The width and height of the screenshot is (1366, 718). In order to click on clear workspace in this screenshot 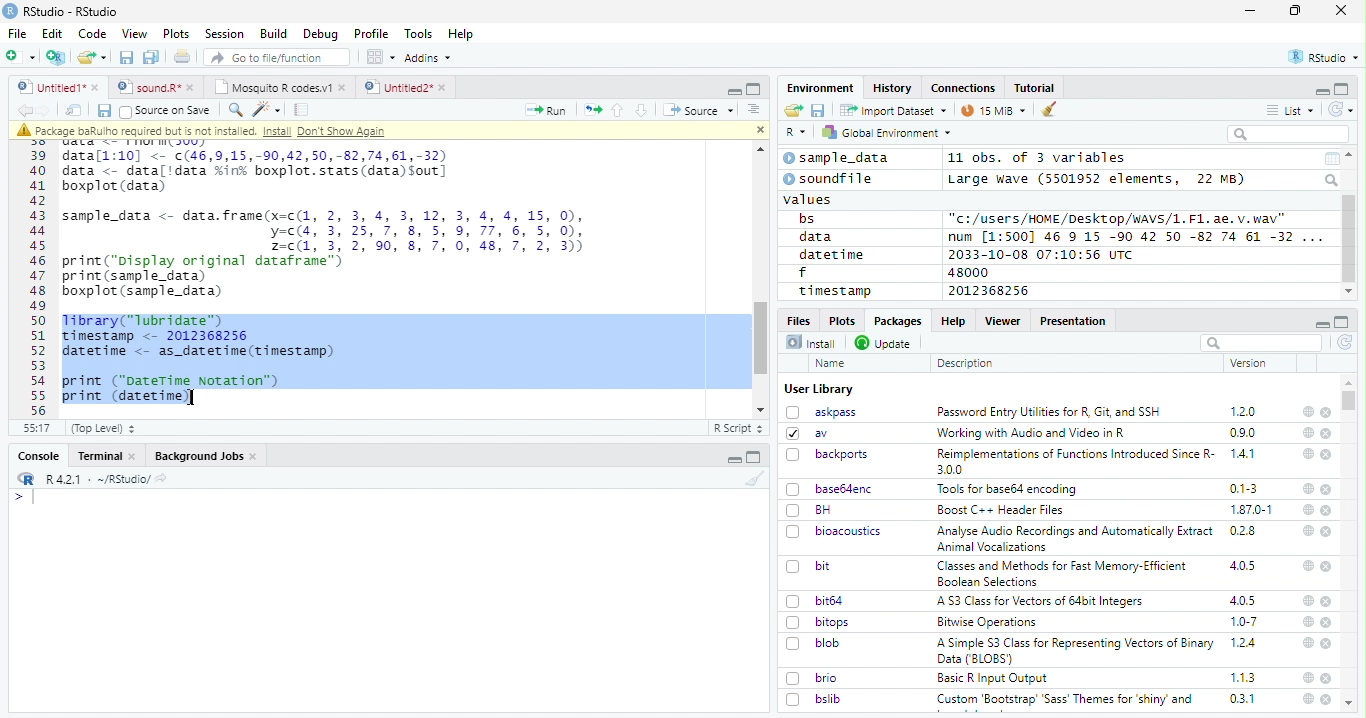, I will do `click(1050, 110)`.